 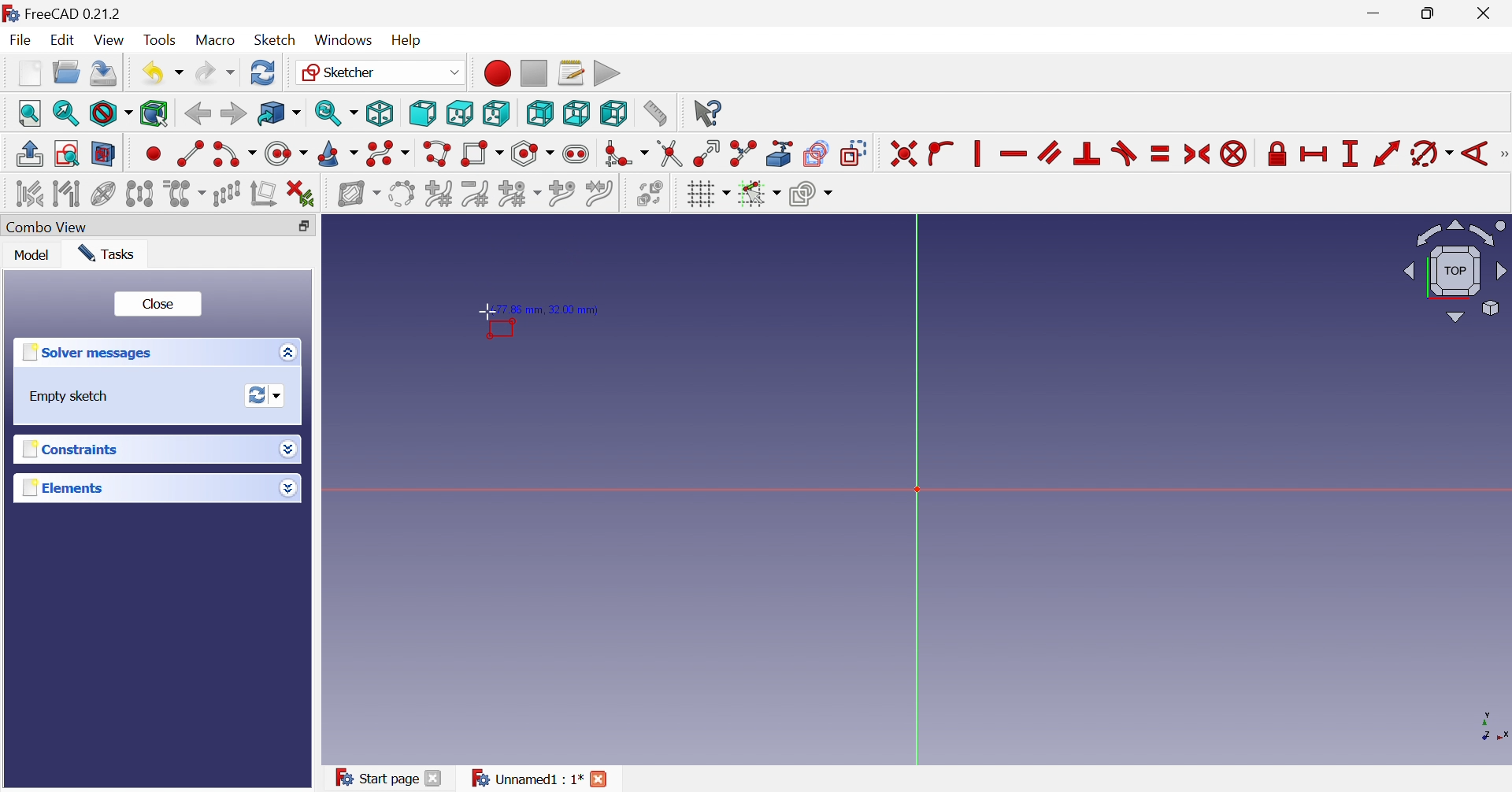 I want to click on Create conic, so click(x=339, y=155).